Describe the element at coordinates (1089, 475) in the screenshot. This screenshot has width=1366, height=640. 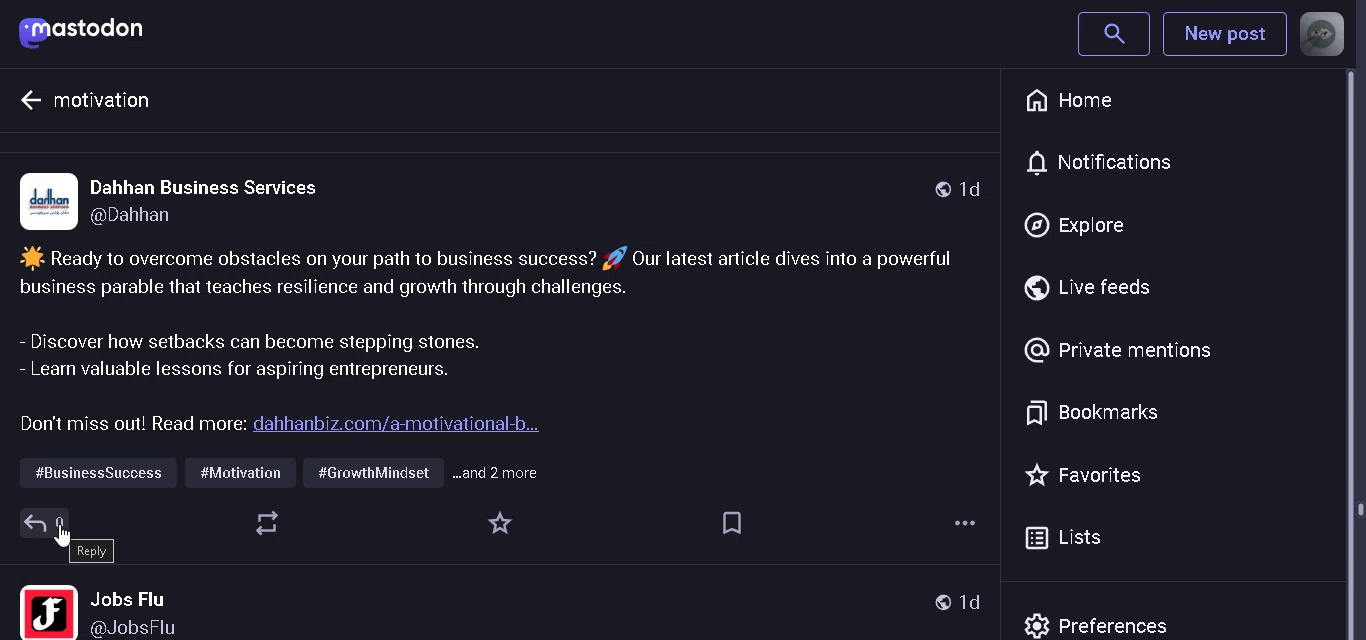
I see `favorites` at that location.